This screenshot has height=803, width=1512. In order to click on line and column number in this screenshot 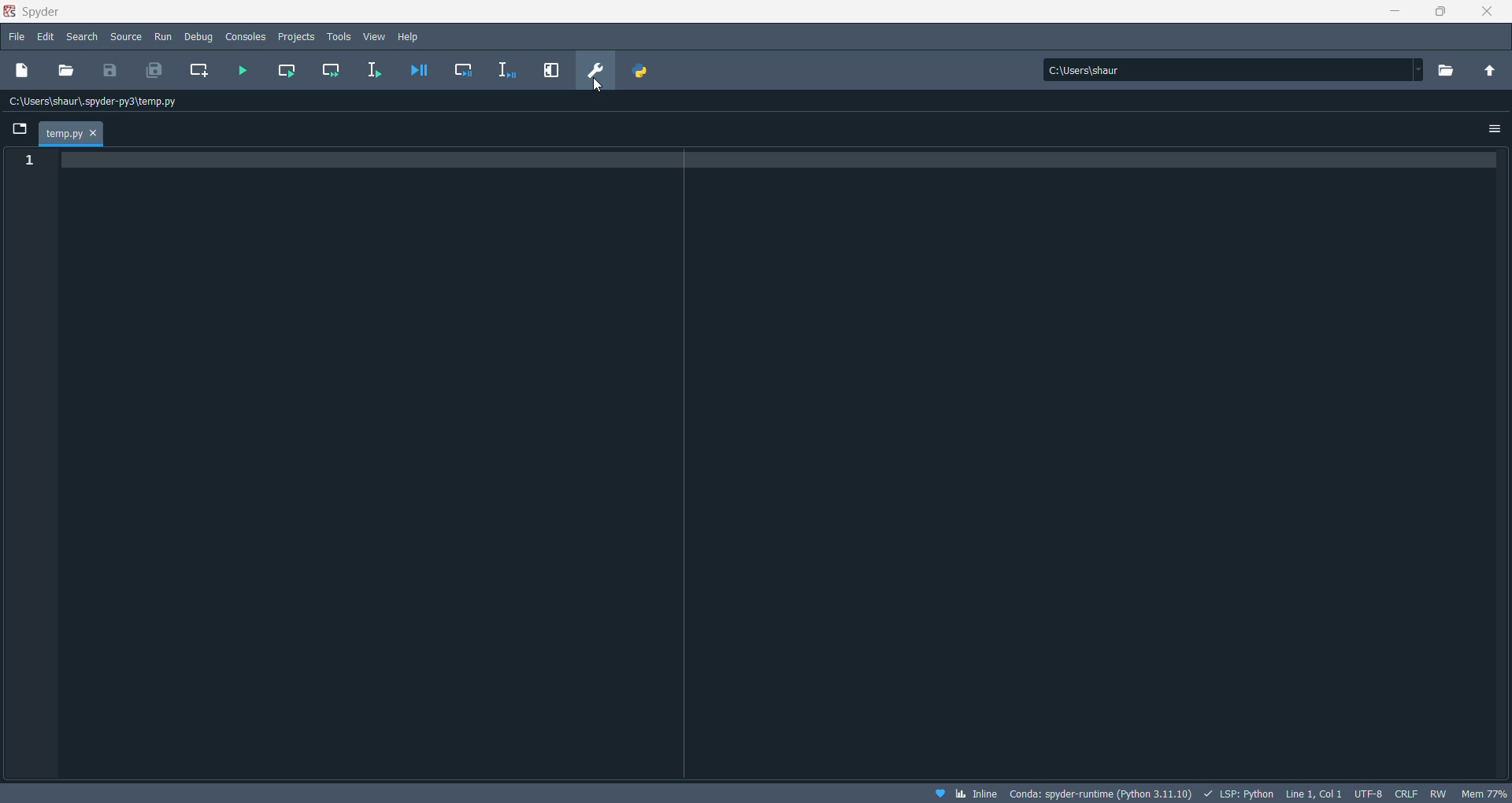, I will do `click(1310, 794)`.